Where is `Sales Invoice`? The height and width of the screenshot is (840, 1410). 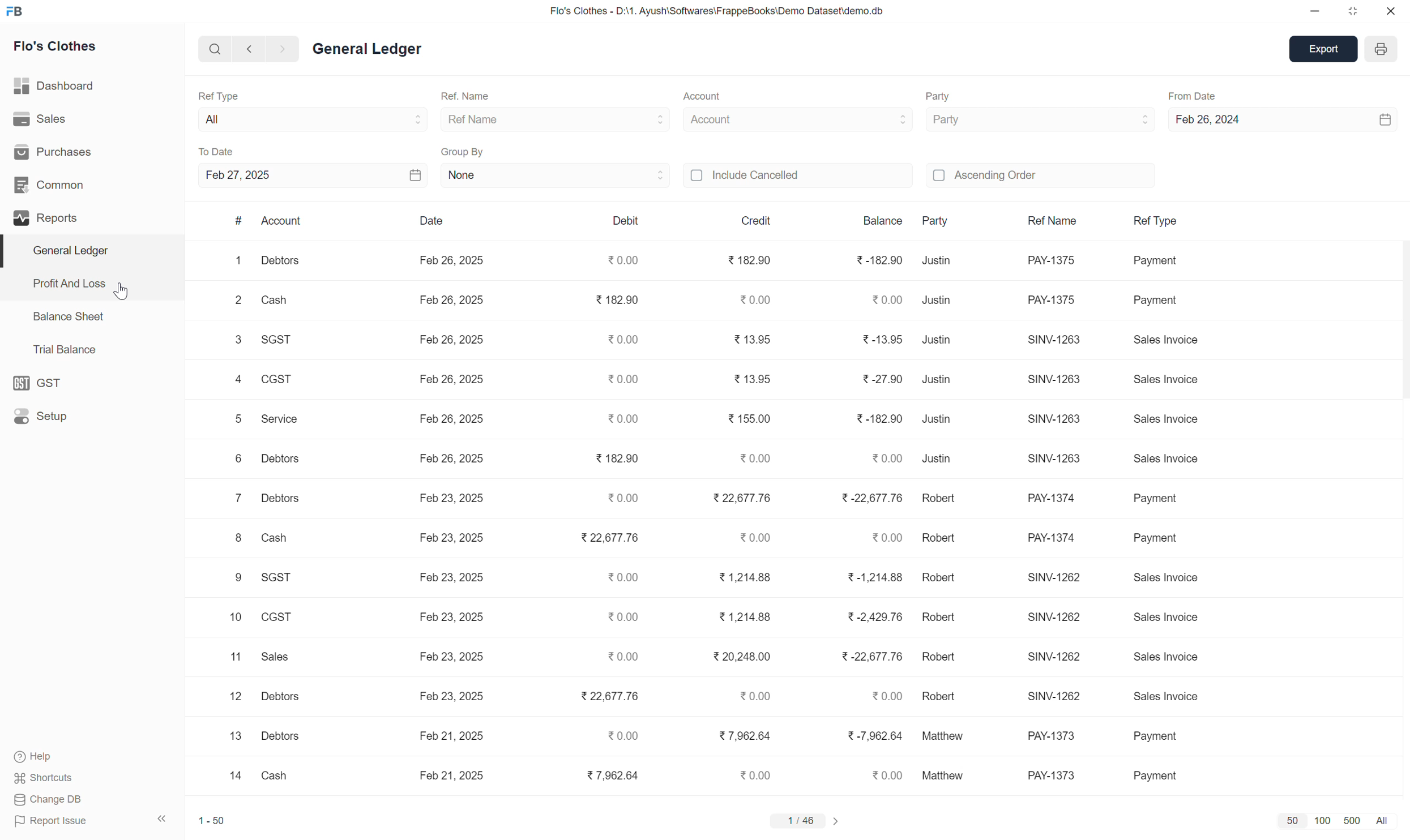 Sales Invoice is located at coordinates (1172, 344).